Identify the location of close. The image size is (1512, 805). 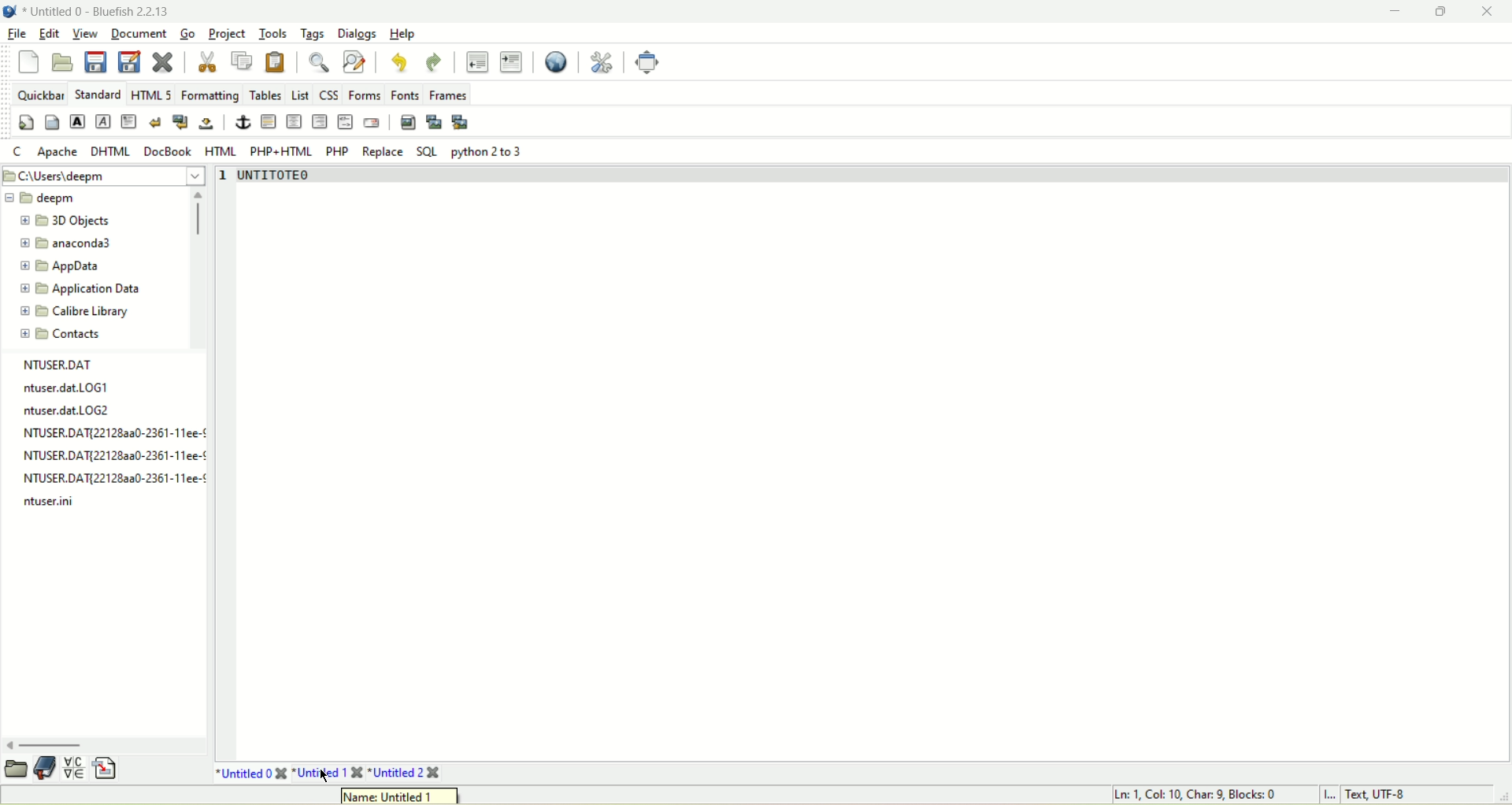
(1488, 12).